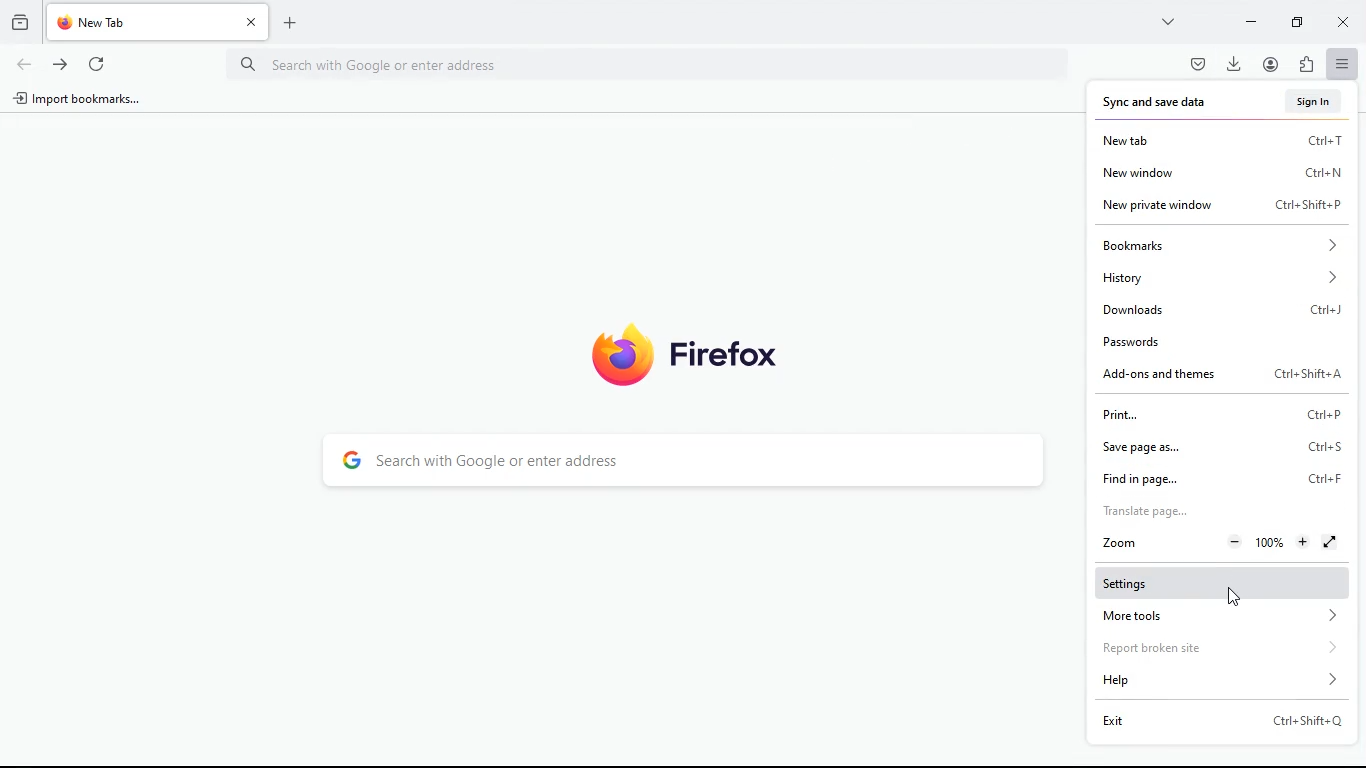 The image size is (1366, 768). Describe the element at coordinates (1207, 650) in the screenshot. I see `report broken site` at that location.